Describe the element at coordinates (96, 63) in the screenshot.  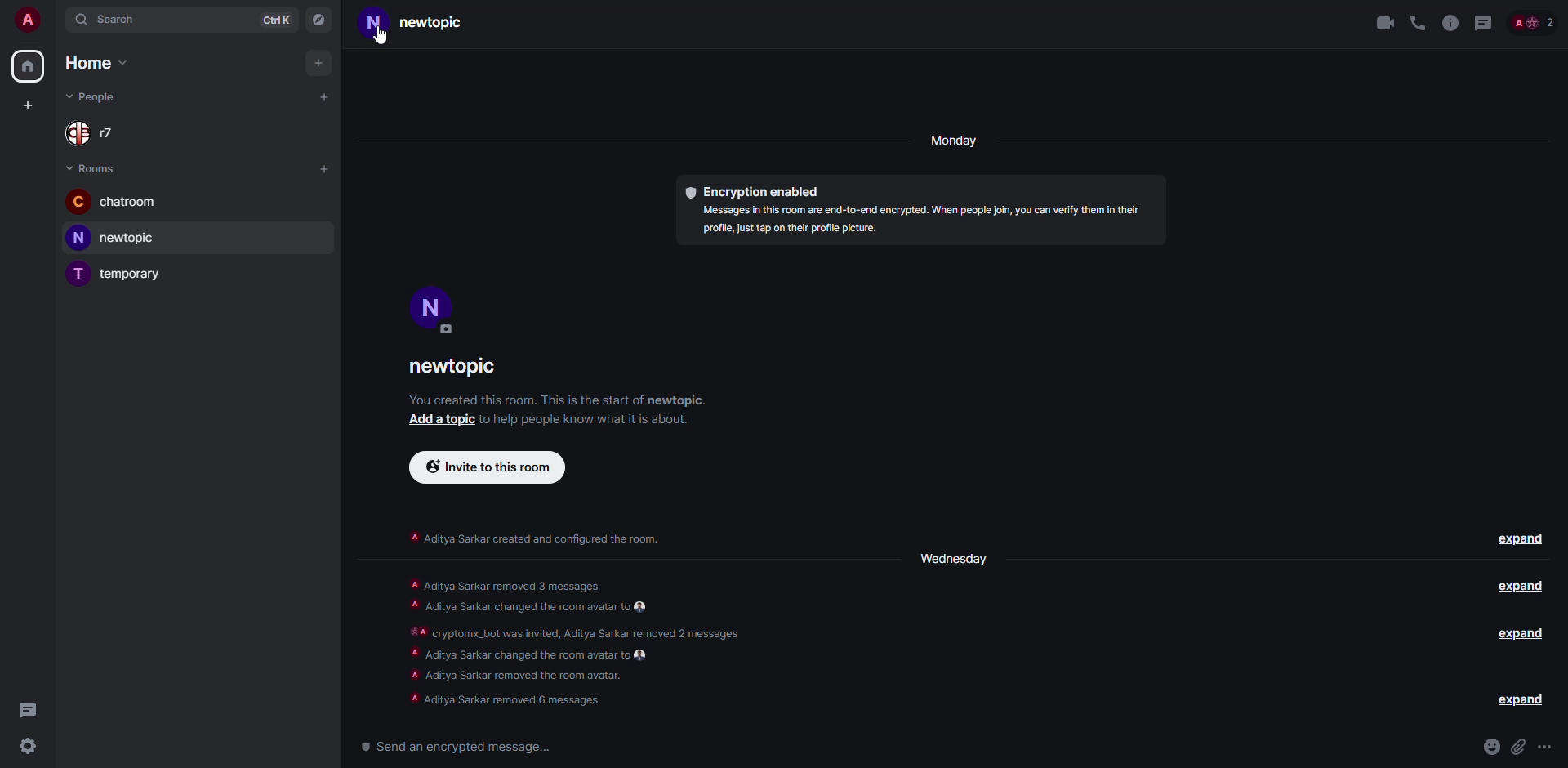
I see `home` at that location.